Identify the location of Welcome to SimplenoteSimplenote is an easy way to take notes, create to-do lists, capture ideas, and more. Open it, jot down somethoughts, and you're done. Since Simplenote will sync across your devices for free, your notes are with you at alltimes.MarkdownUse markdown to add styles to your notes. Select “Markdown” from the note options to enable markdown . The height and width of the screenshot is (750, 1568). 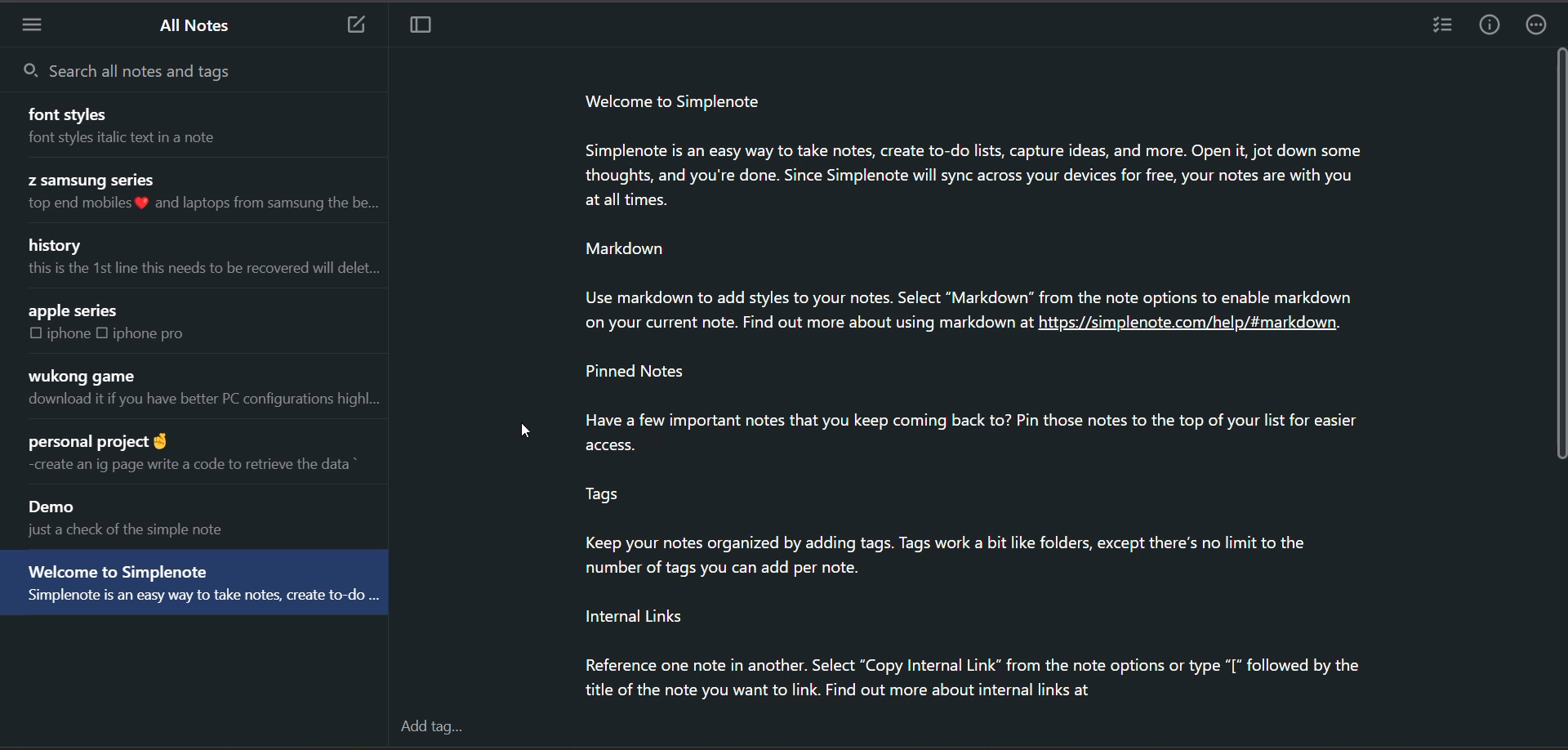
(964, 199).